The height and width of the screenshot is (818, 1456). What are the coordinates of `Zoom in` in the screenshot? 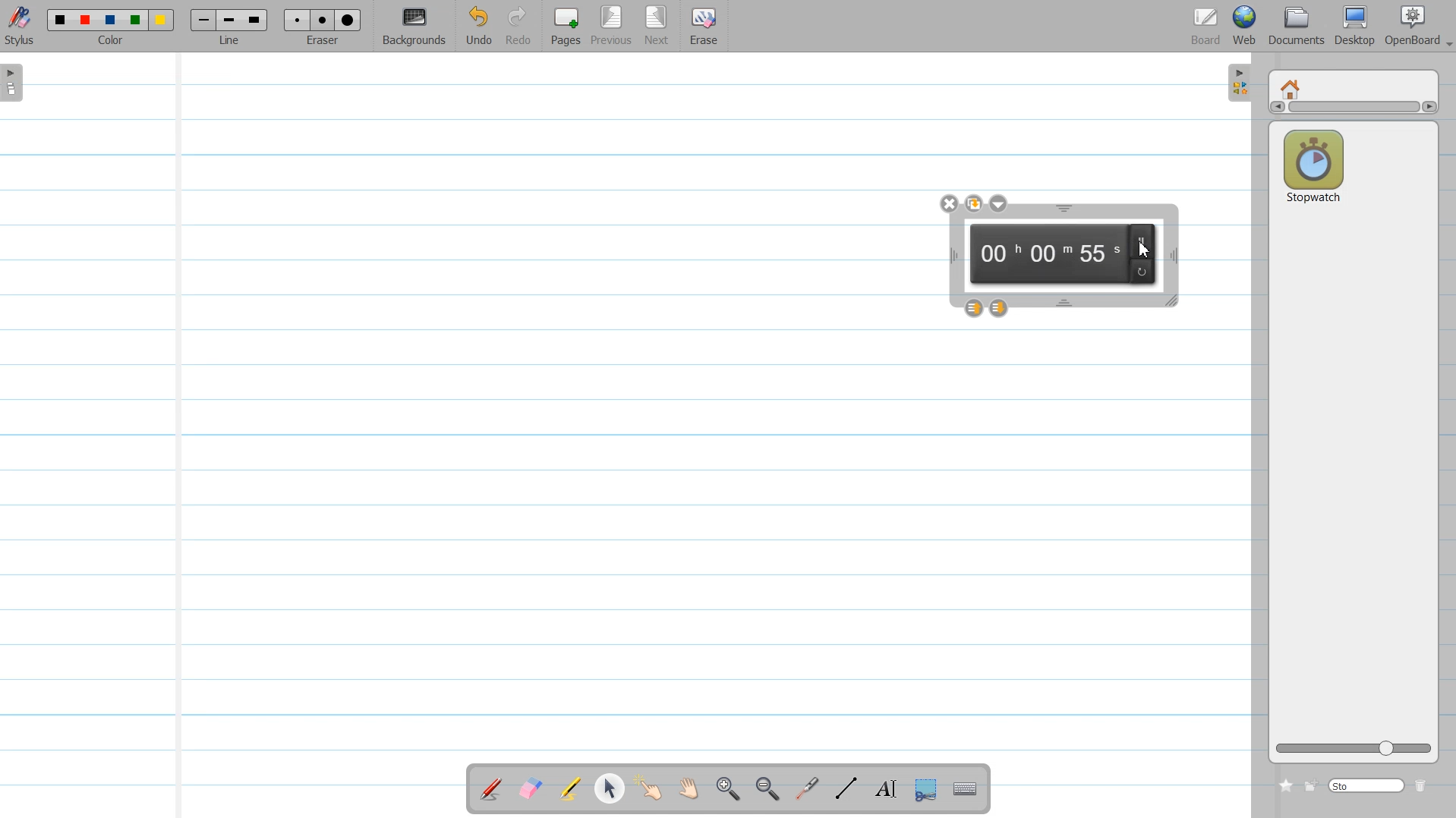 It's located at (729, 789).